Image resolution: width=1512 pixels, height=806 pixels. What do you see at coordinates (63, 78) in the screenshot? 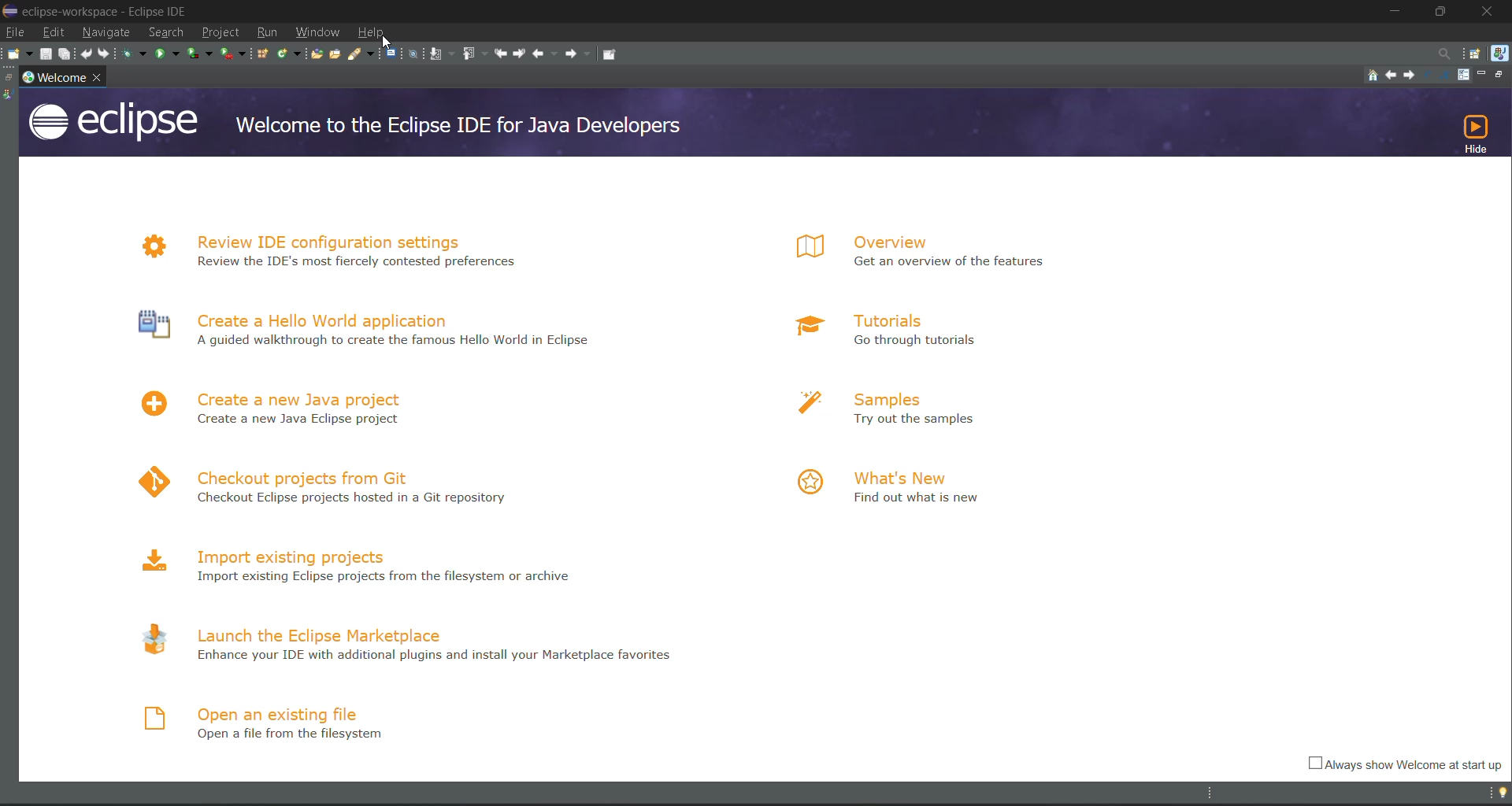
I see `workspace` at bounding box center [63, 78].